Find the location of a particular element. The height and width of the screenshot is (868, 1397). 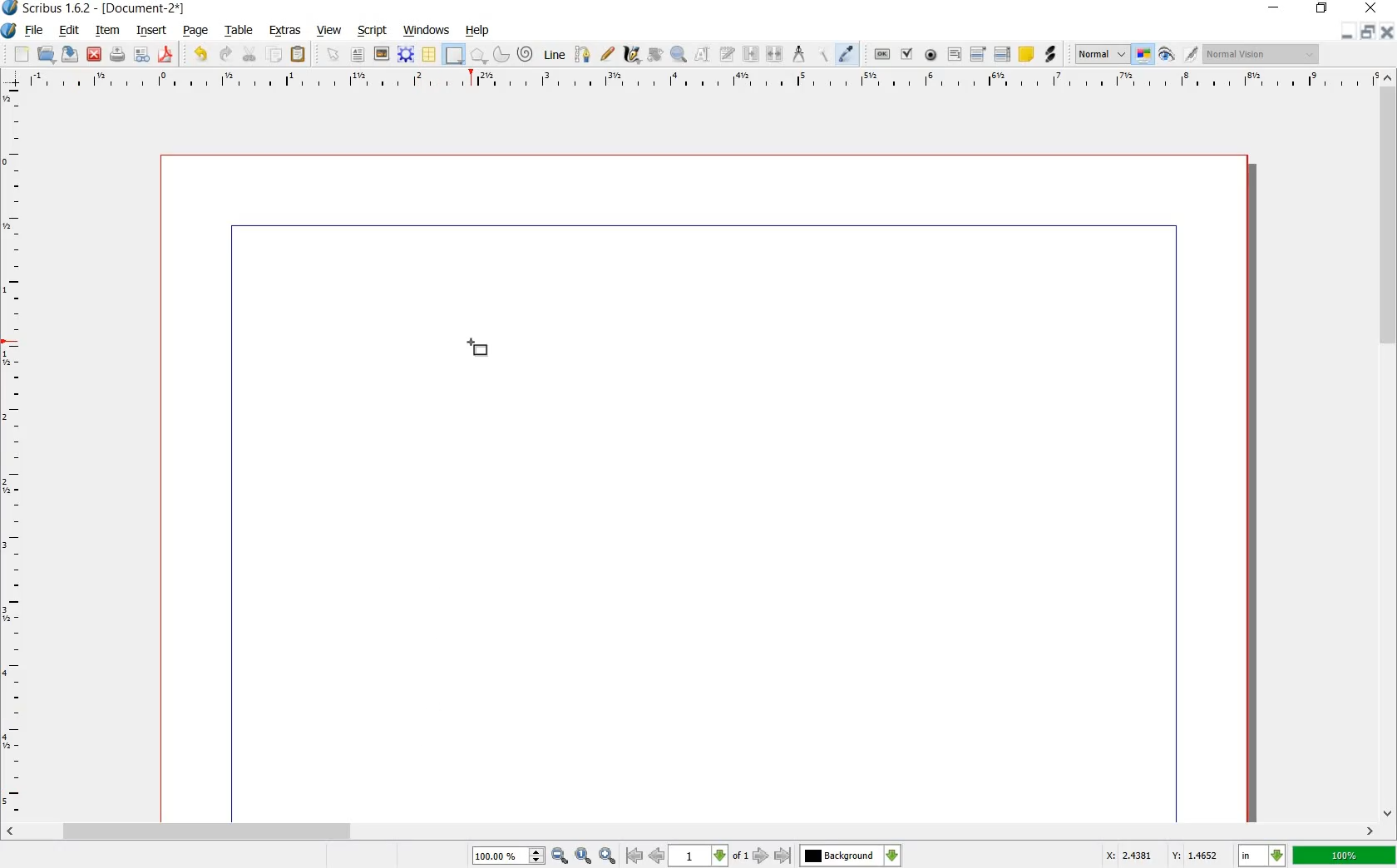

EDIT CONTENTS OF FRAME is located at coordinates (703, 55).